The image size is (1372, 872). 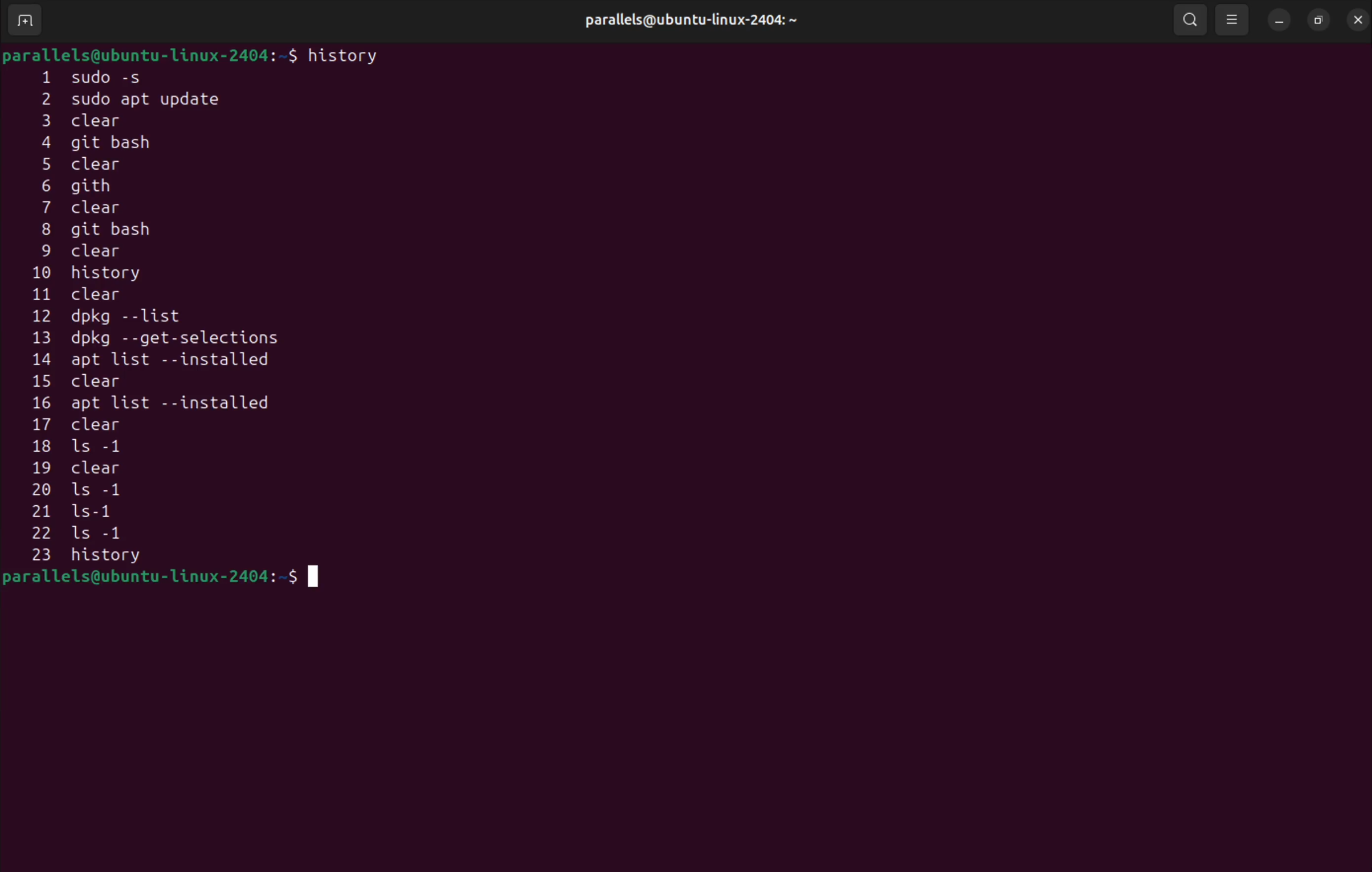 What do you see at coordinates (1355, 17) in the screenshot?
I see `close` at bounding box center [1355, 17].